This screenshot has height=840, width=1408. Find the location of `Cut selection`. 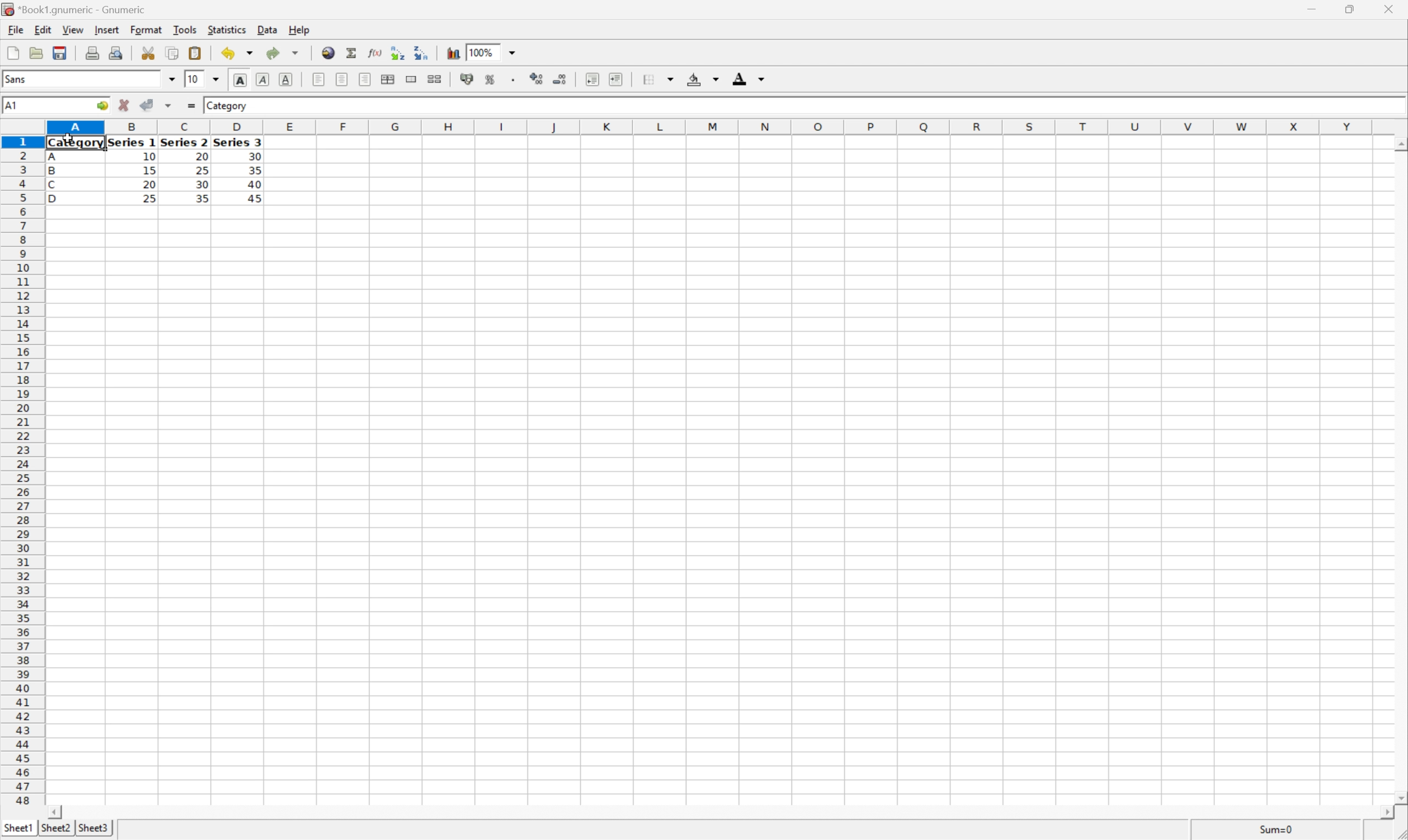

Cut selection is located at coordinates (149, 53).